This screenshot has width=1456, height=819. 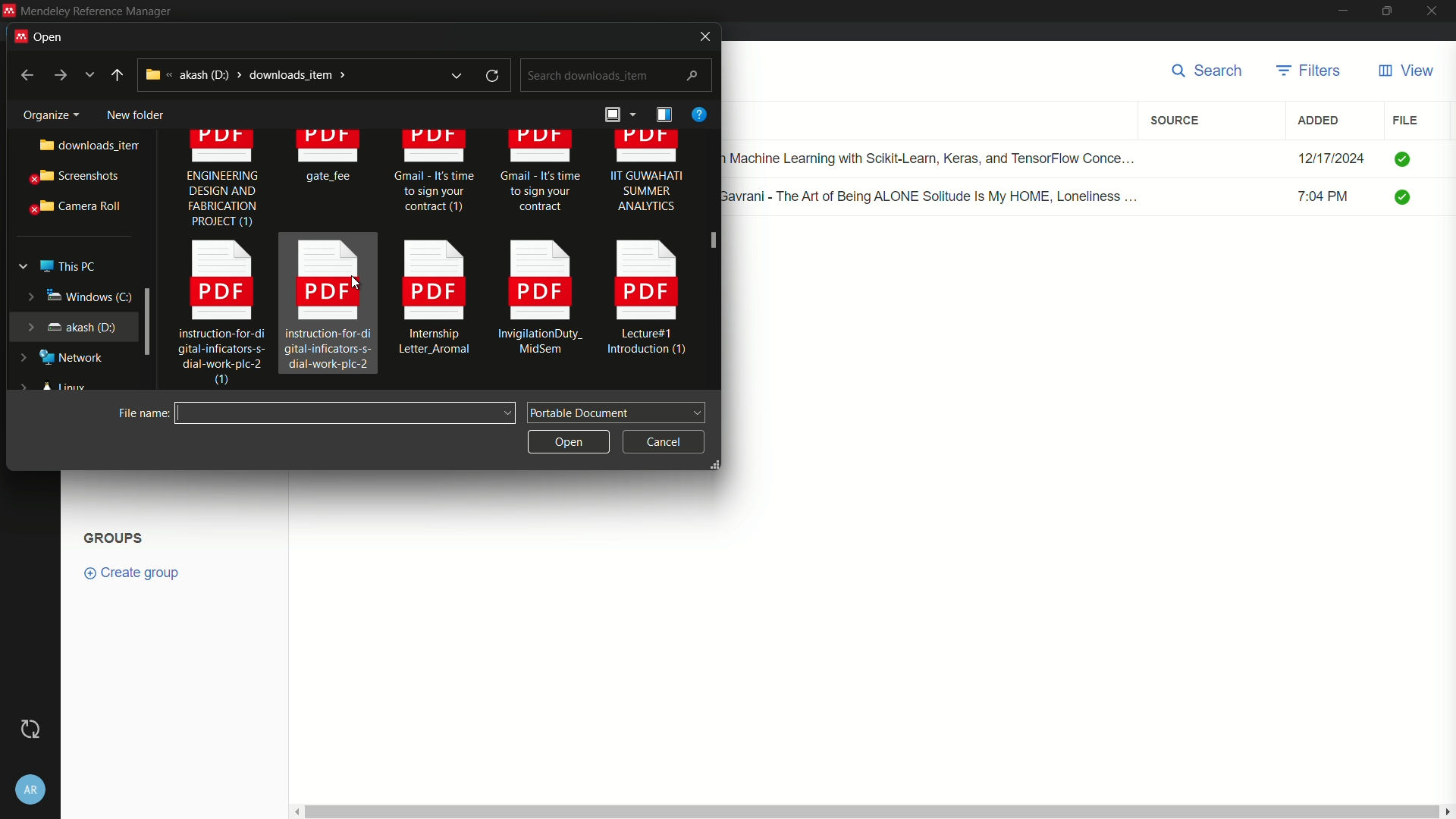 What do you see at coordinates (647, 178) in the screenshot?
I see `IIT GUWAHATI
SUMMER
ANALYTICS` at bounding box center [647, 178].